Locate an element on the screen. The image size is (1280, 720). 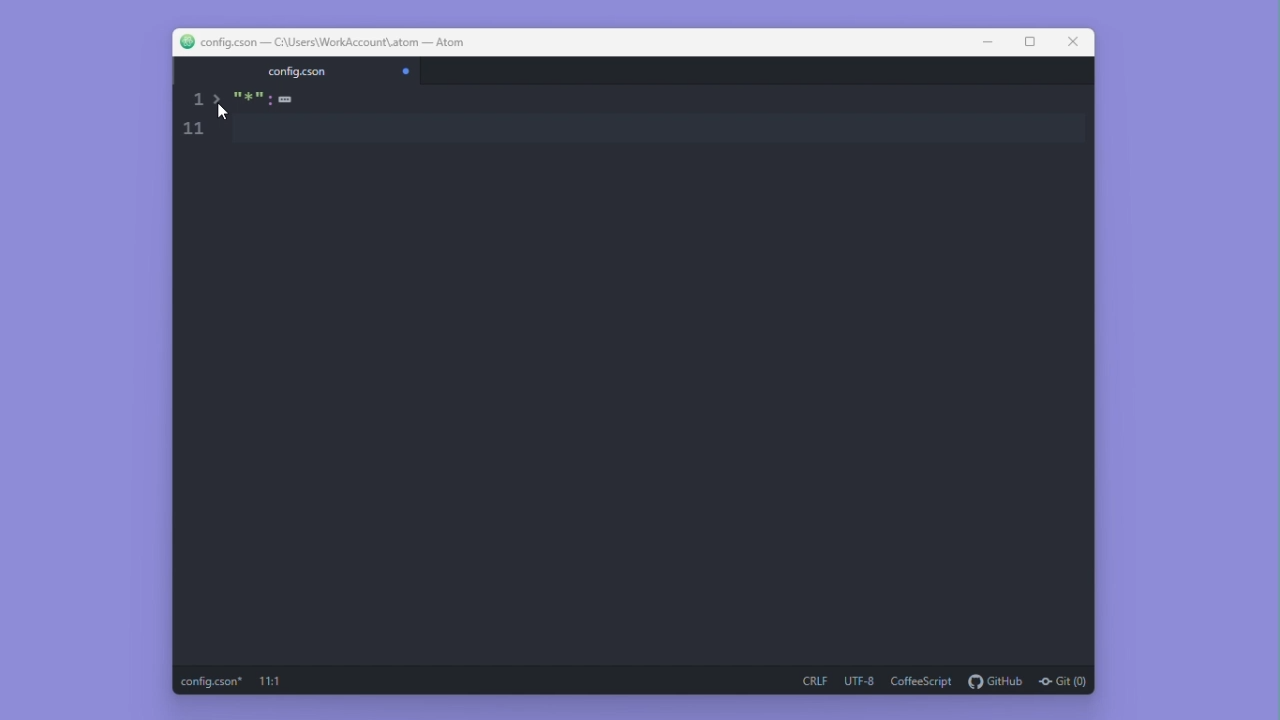
11:1 is located at coordinates (272, 682).